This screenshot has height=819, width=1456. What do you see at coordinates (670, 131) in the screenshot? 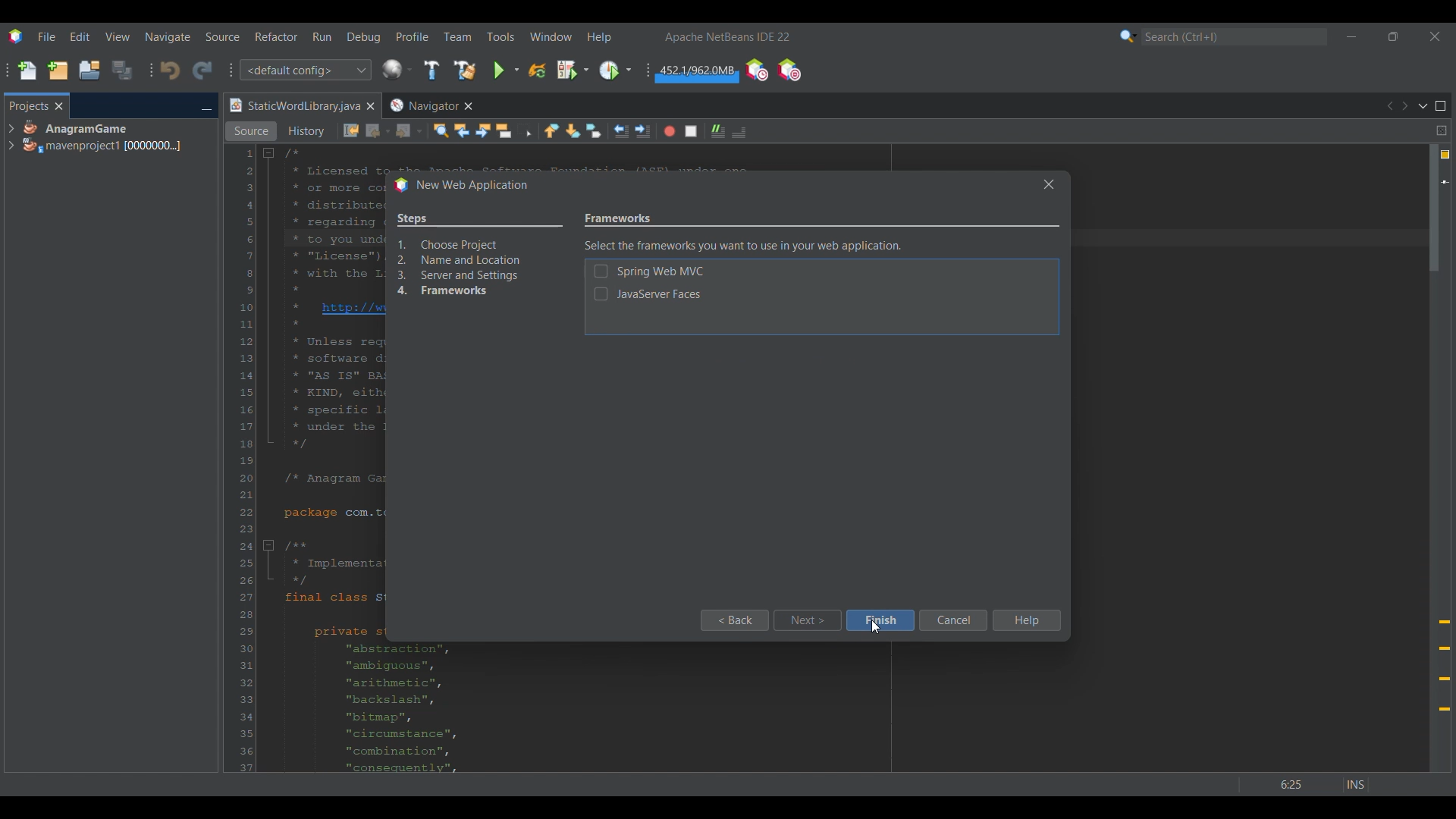
I see `Start macro recording` at bounding box center [670, 131].